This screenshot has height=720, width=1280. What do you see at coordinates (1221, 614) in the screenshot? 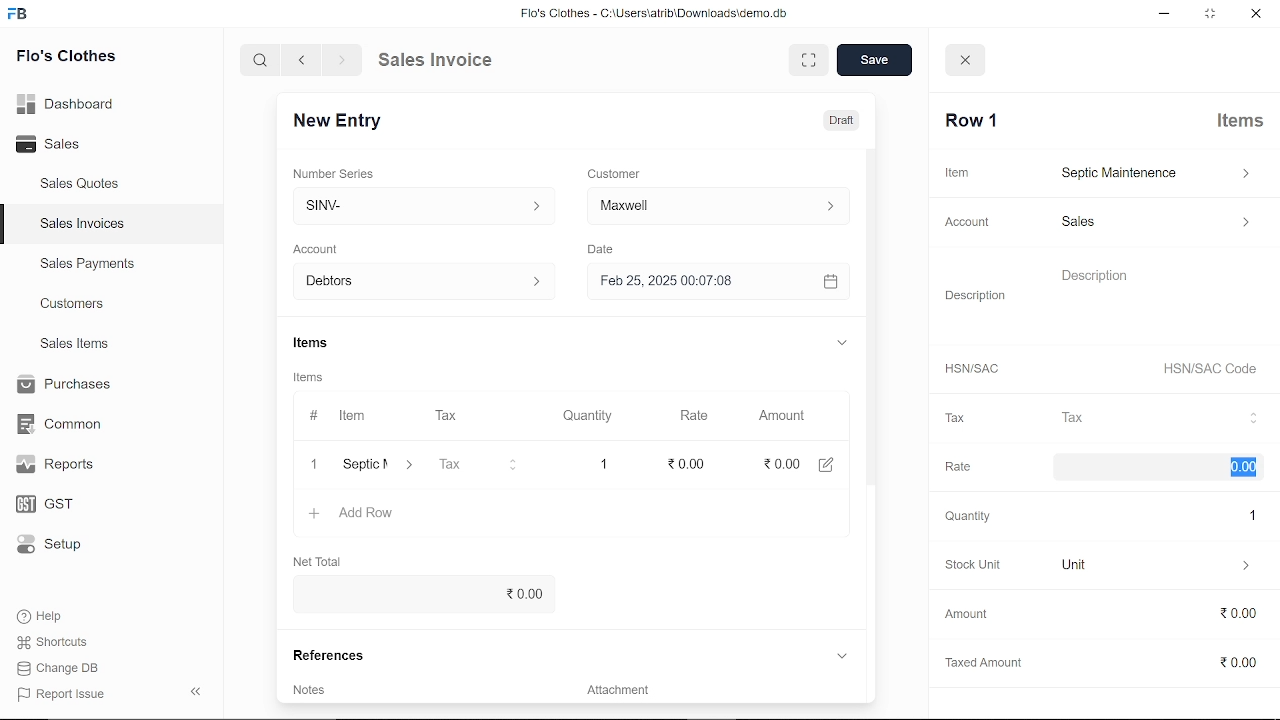
I see `0.00` at bounding box center [1221, 614].